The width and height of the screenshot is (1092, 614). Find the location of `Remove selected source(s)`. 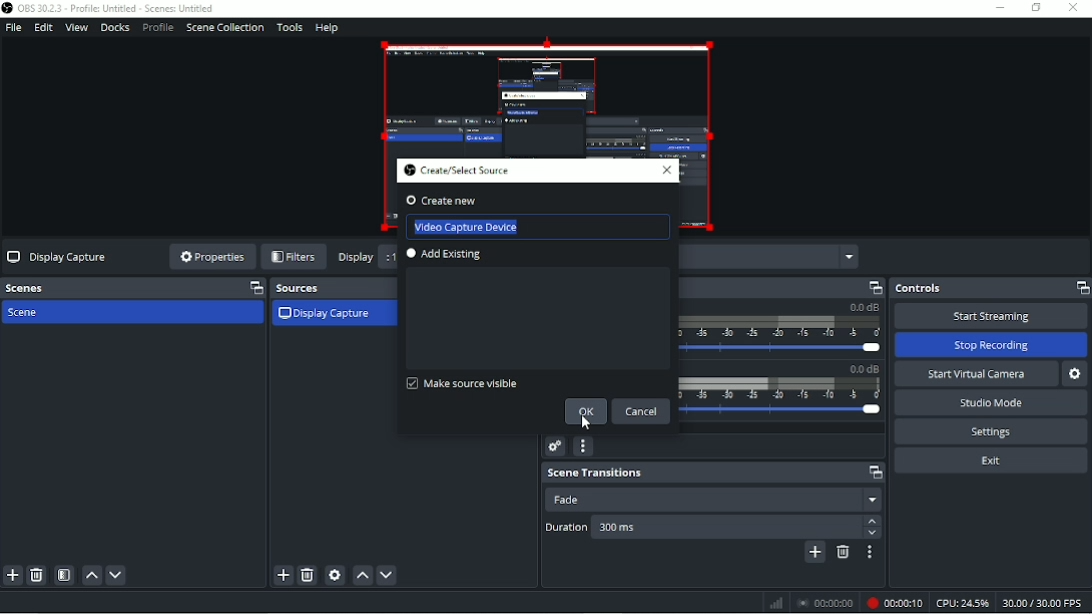

Remove selected source(s) is located at coordinates (308, 576).